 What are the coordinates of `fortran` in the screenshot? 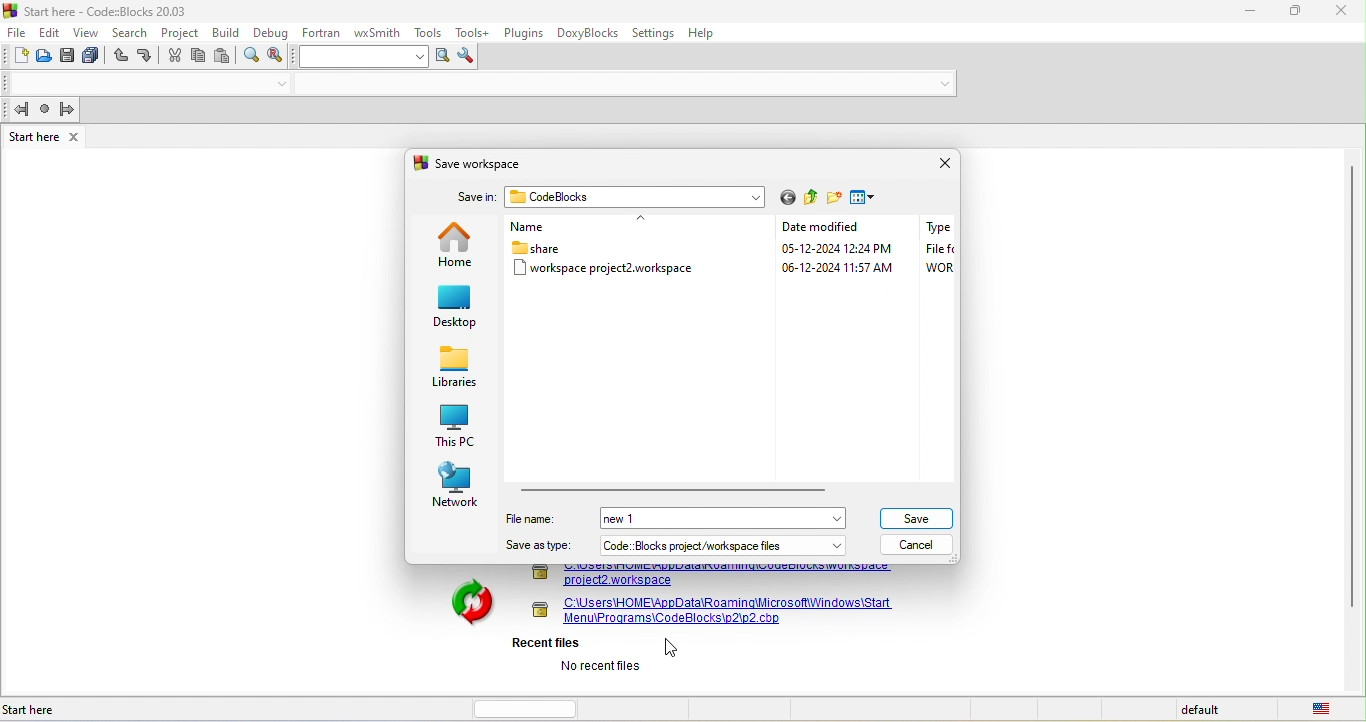 It's located at (321, 31).